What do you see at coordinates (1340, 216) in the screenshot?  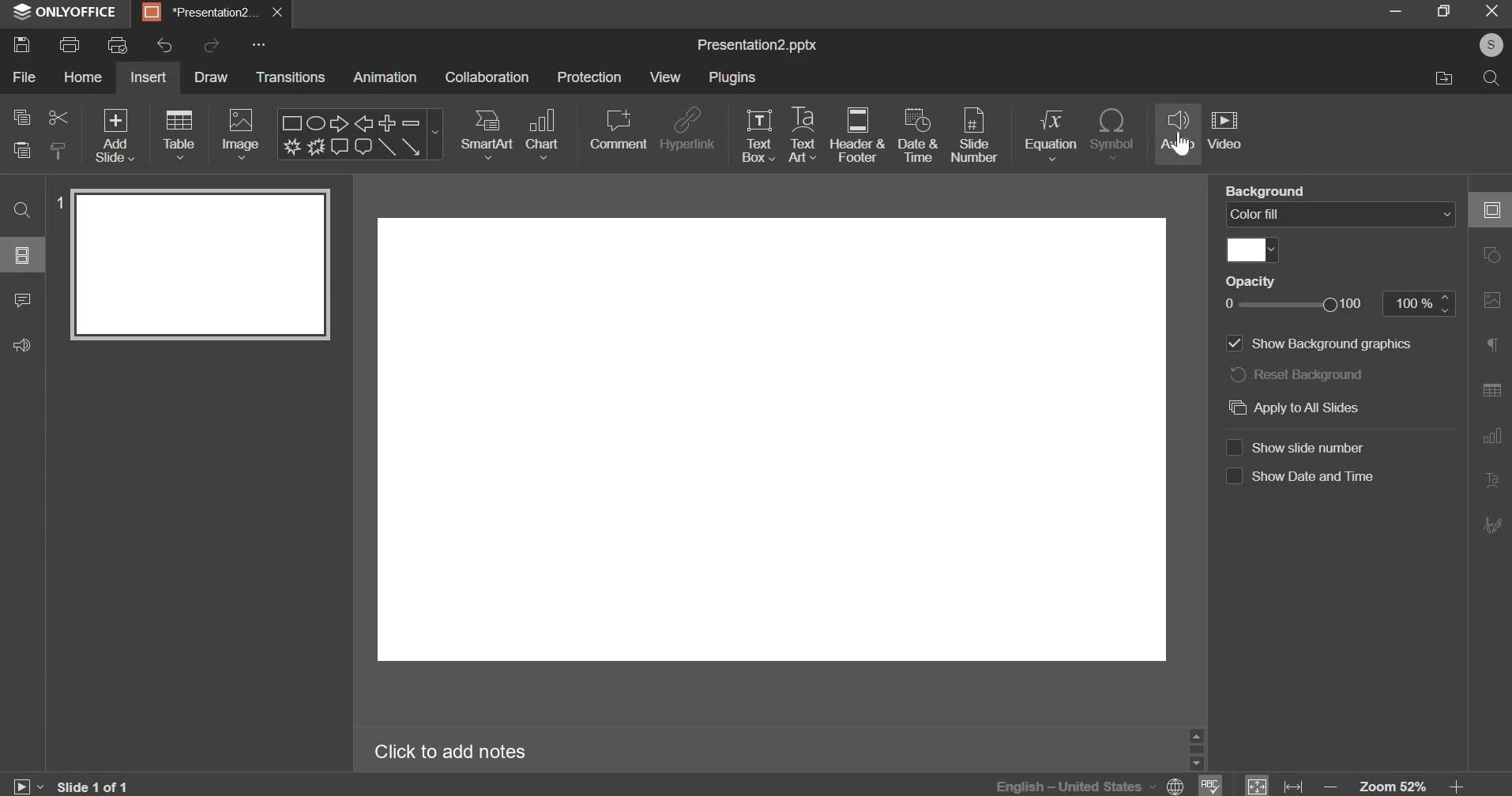 I see `background fill` at bounding box center [1340, 216].